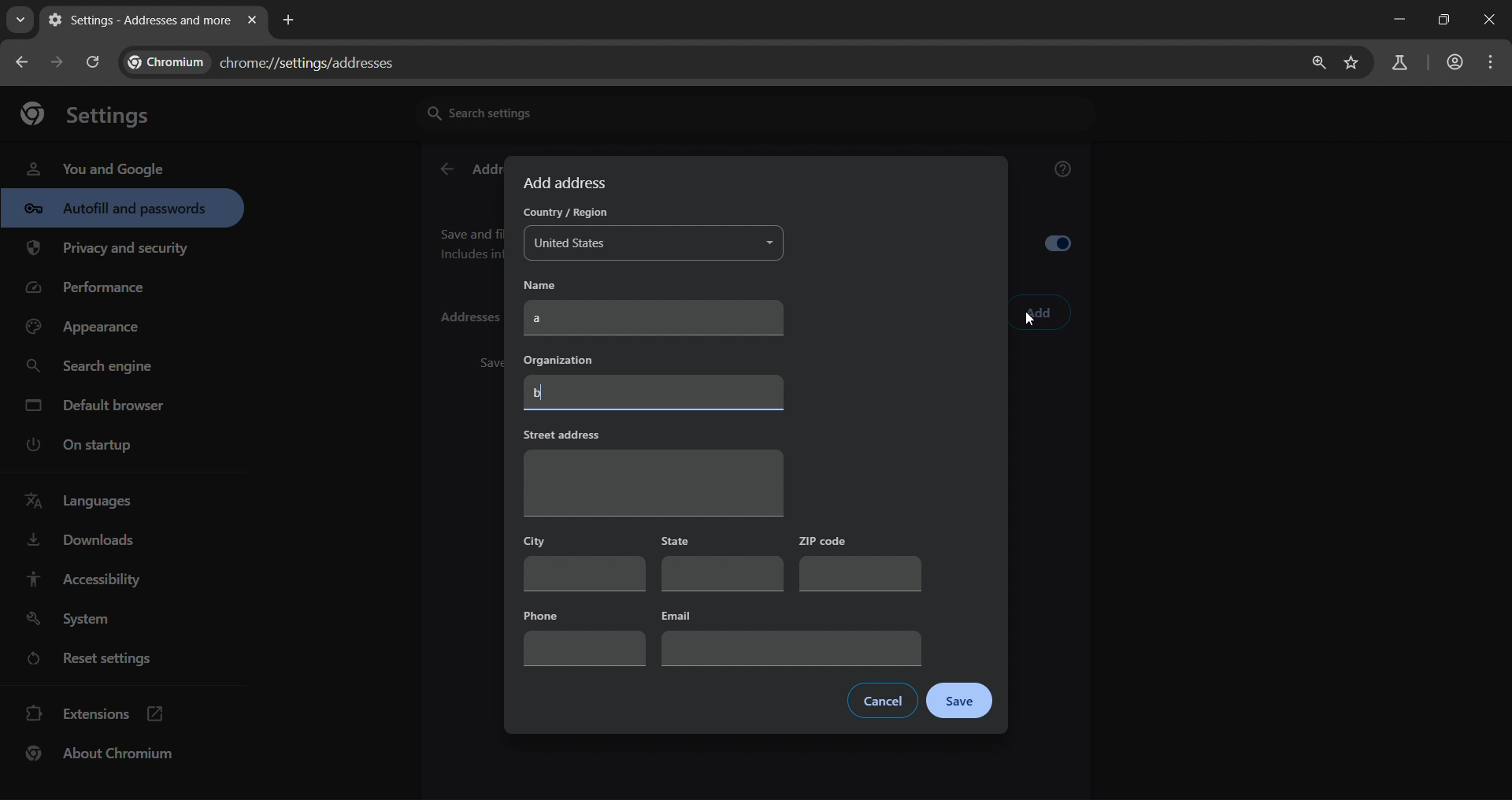 The image size is (1512, 800). What do you see at coordinates (91, 291) in the screenshot?
I see `performance` at bounding box center [91, 291].